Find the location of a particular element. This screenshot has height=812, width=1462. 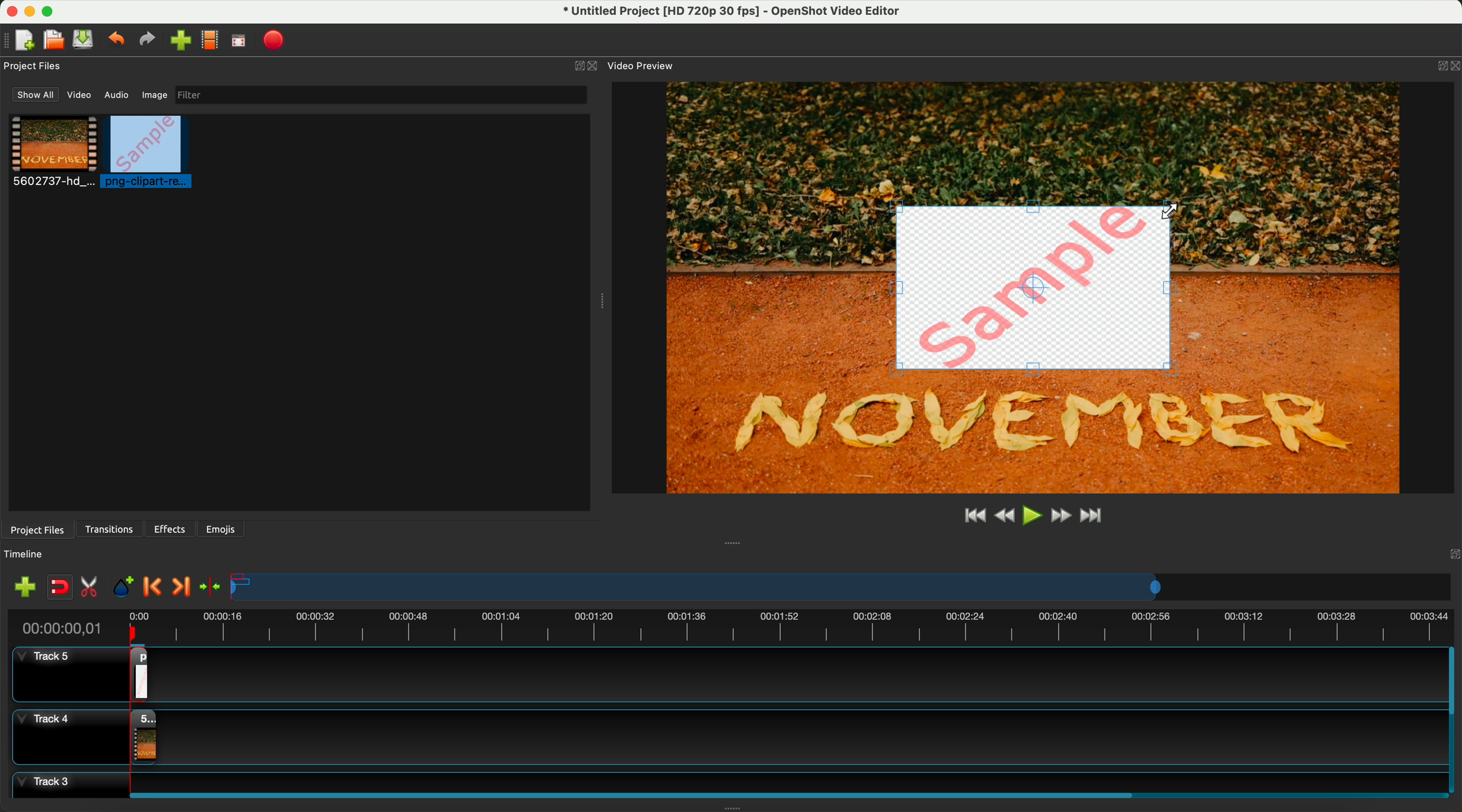

video is located at coordinates (54, 153).